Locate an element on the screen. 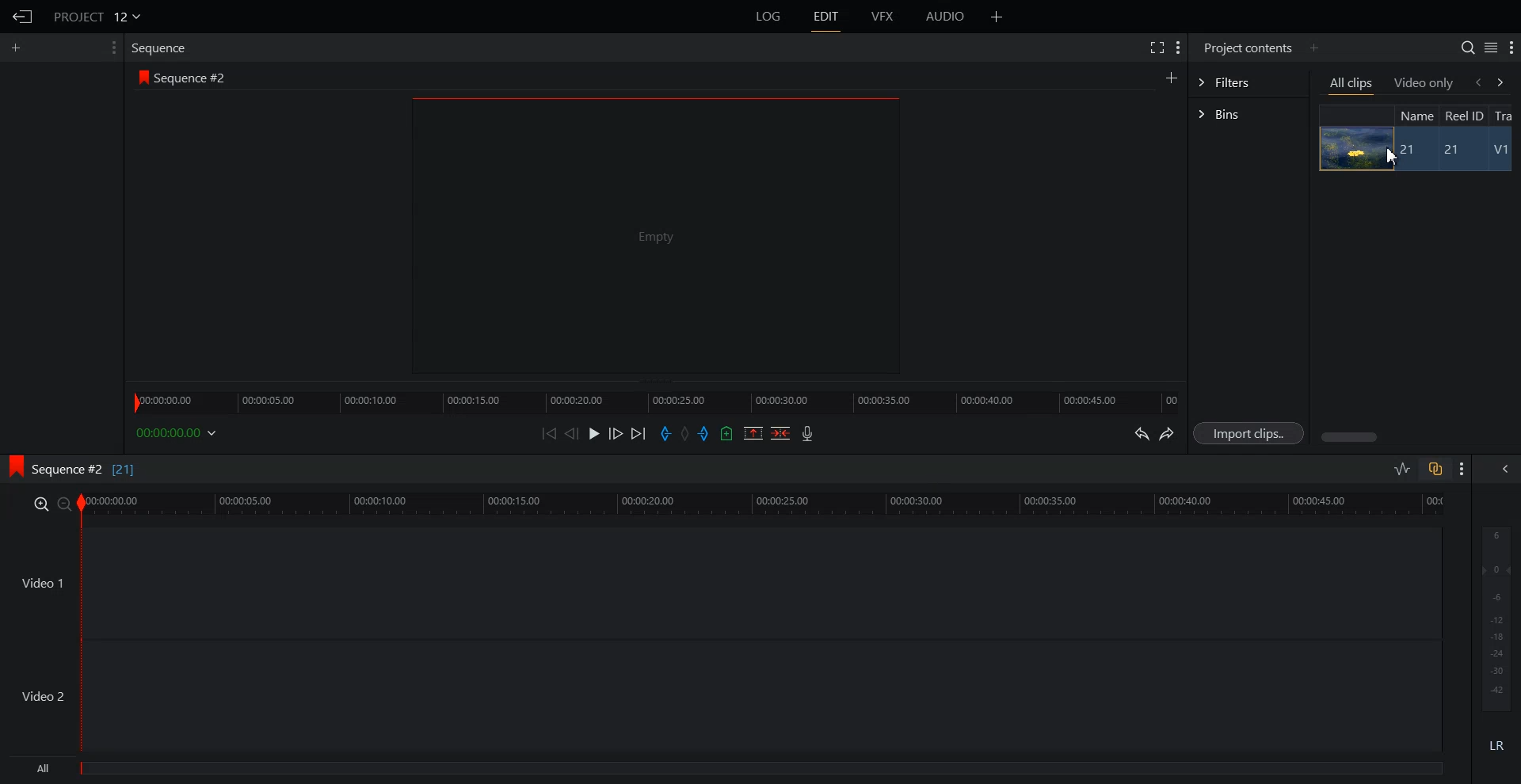 This screenshot has width=1521, height=784. Record Audio is located at coordinates (806, 433).